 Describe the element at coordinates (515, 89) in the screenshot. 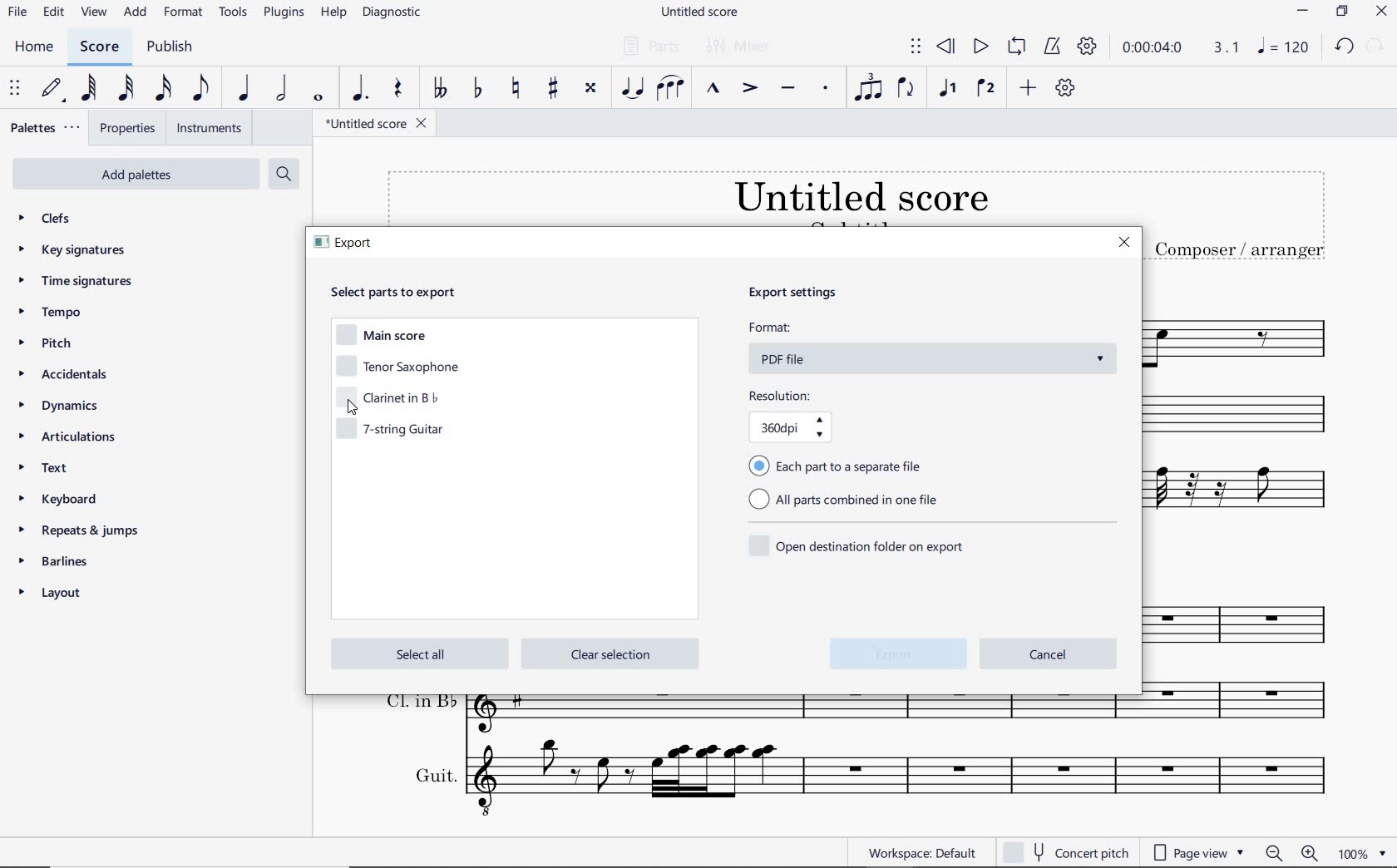

I see `TOGGLE NATURAL` at that location.